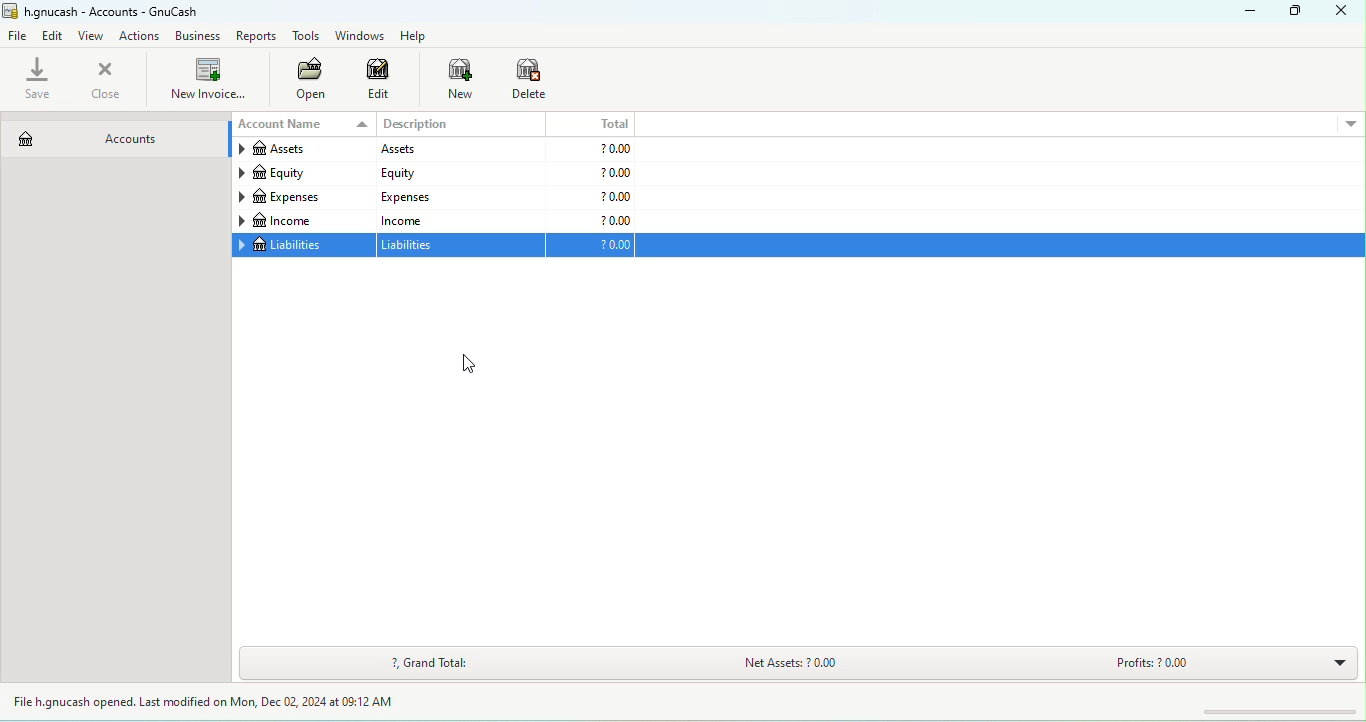 The image size is (1366, 722). What do you see at coordinates (302, 197) in the screenshot?
I see `expenses` at bounding box center [302, 197].